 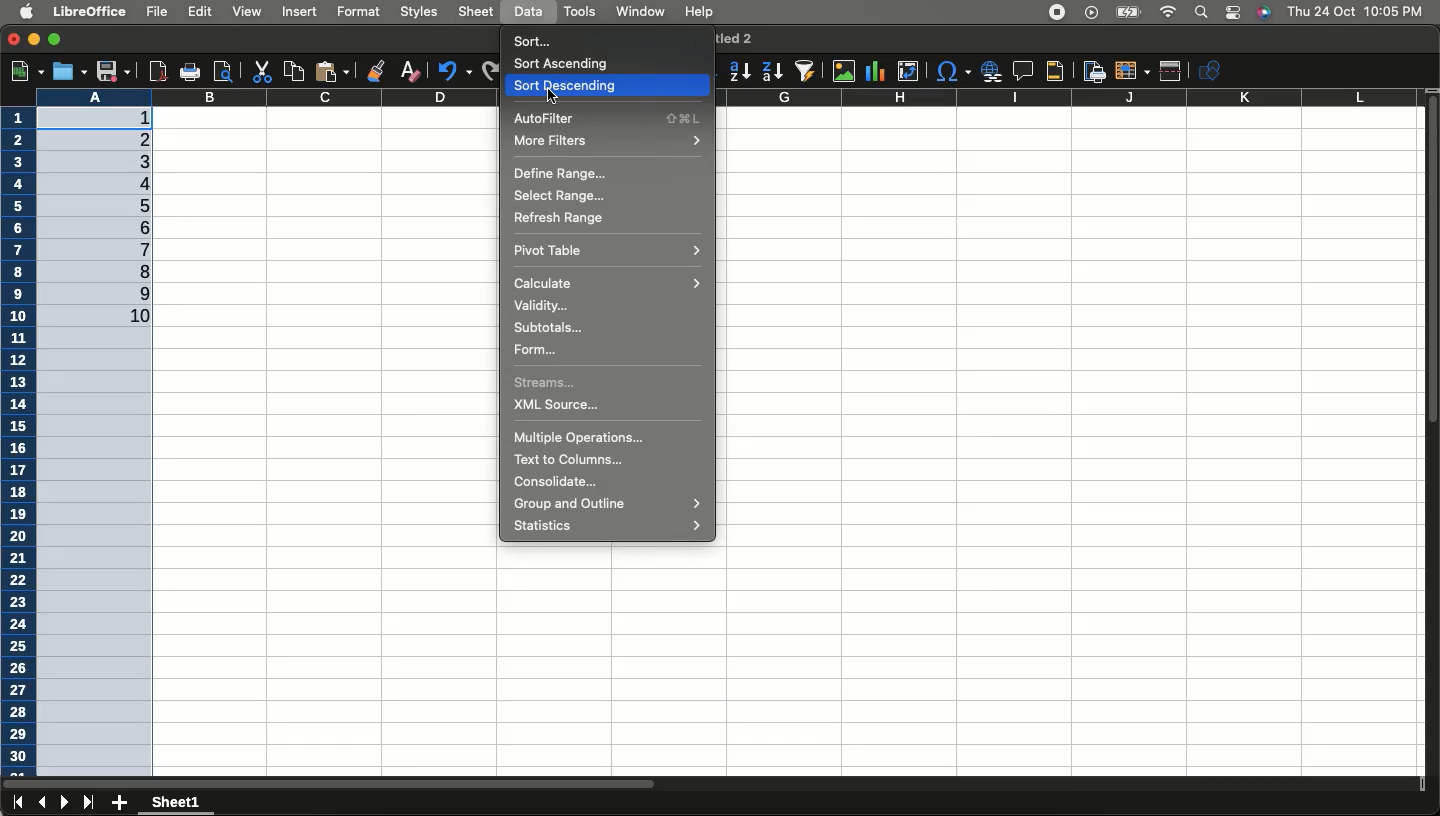 I want to click on More filters, so click(x=607, y=142).